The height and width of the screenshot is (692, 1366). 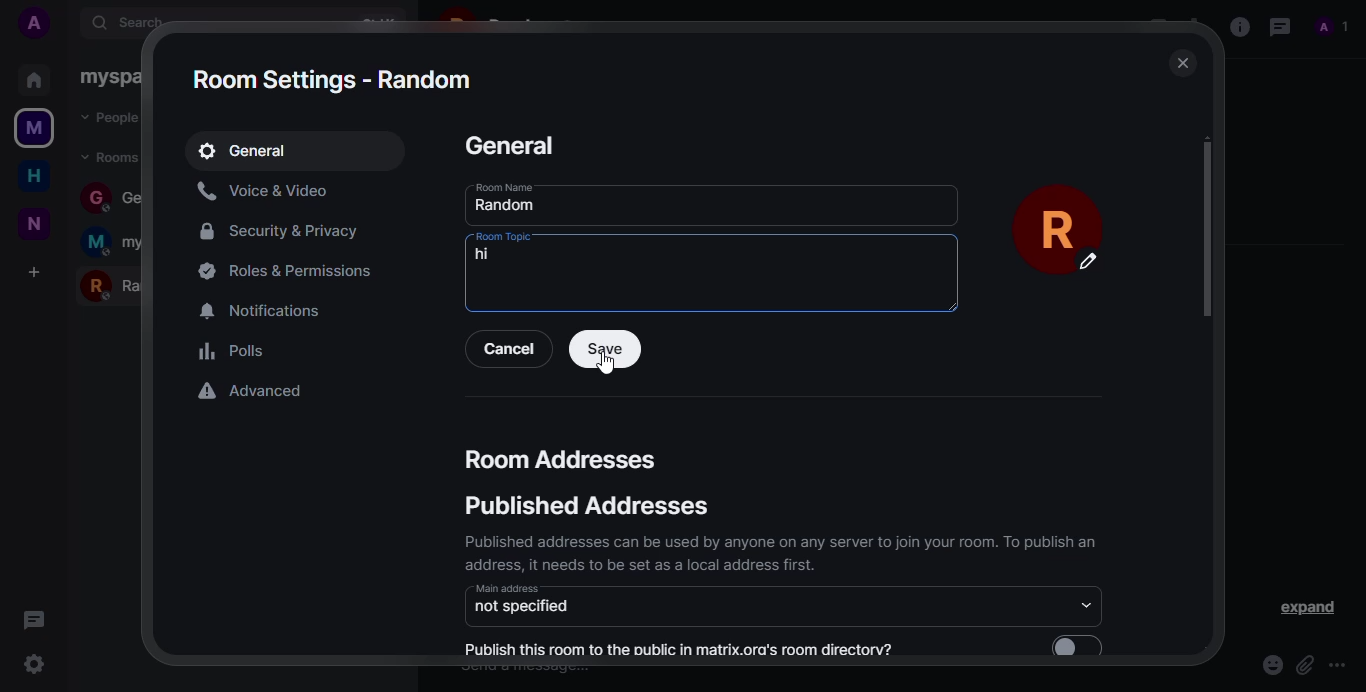 I want to click on room addresses, so click(x=560, y=457).